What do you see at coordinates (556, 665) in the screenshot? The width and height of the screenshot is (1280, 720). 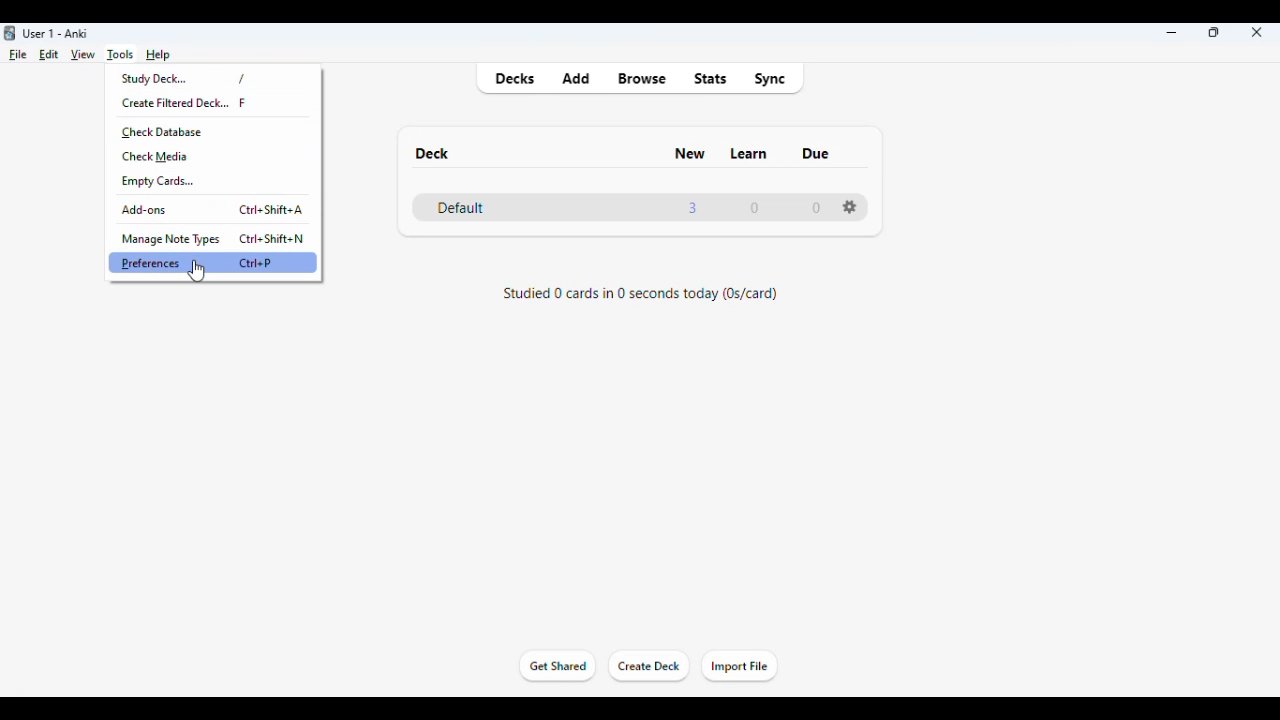 I see `get shared` at bounding box center [556, 665].